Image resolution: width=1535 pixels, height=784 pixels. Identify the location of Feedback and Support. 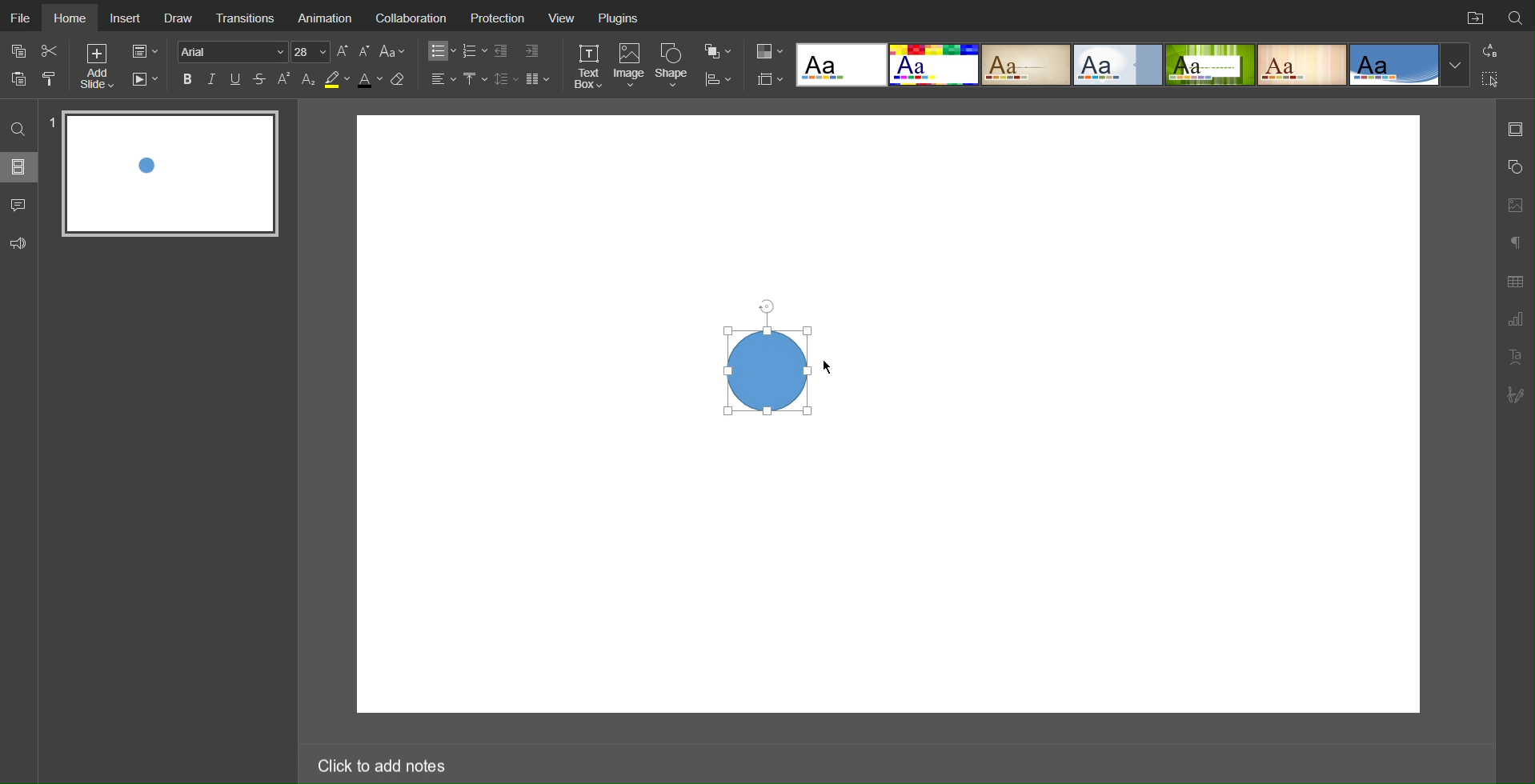
(18, 244).